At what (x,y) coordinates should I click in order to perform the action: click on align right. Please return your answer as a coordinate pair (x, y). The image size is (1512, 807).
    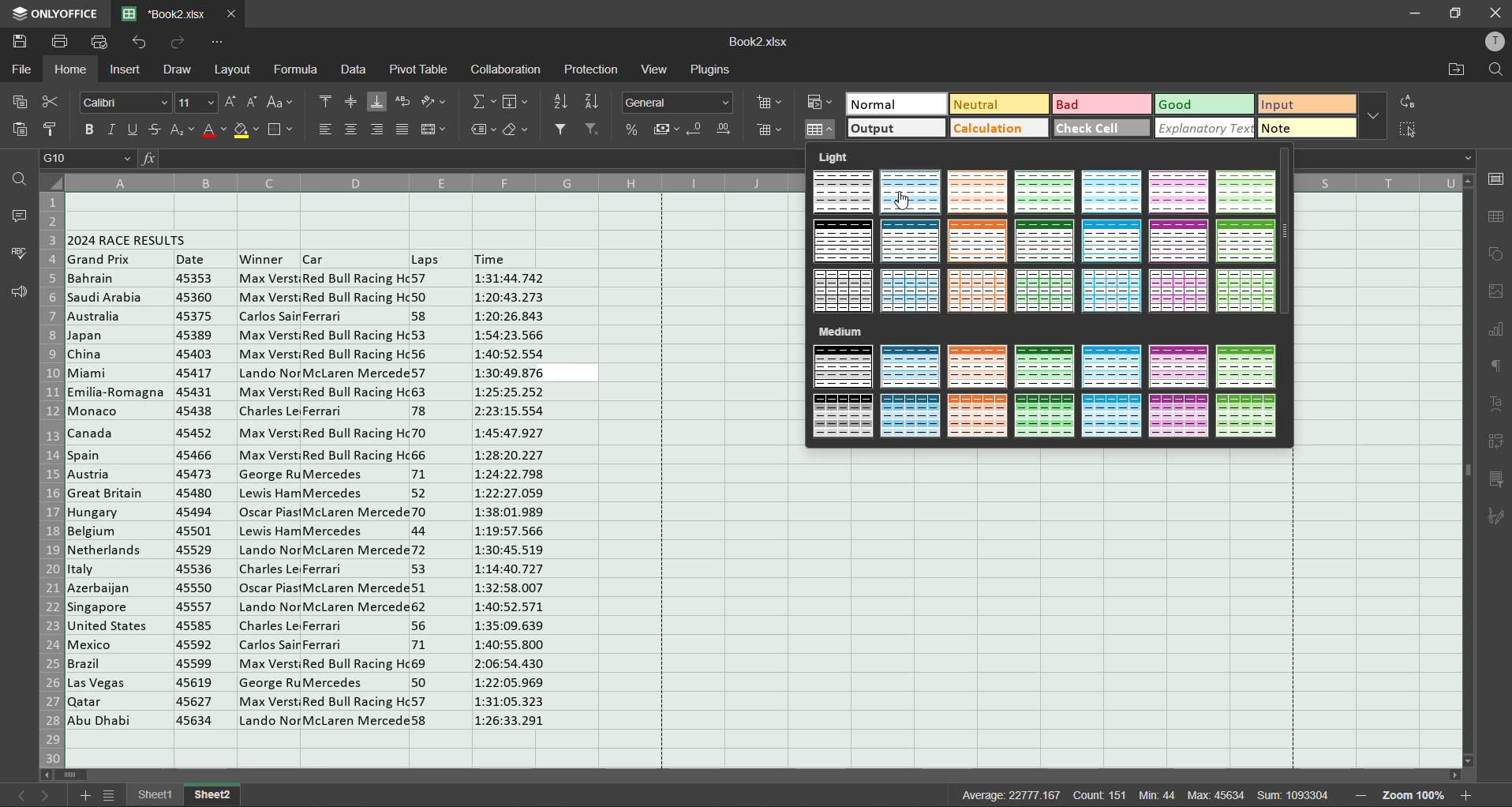
    Looking at the image, I should click on (378, 130).